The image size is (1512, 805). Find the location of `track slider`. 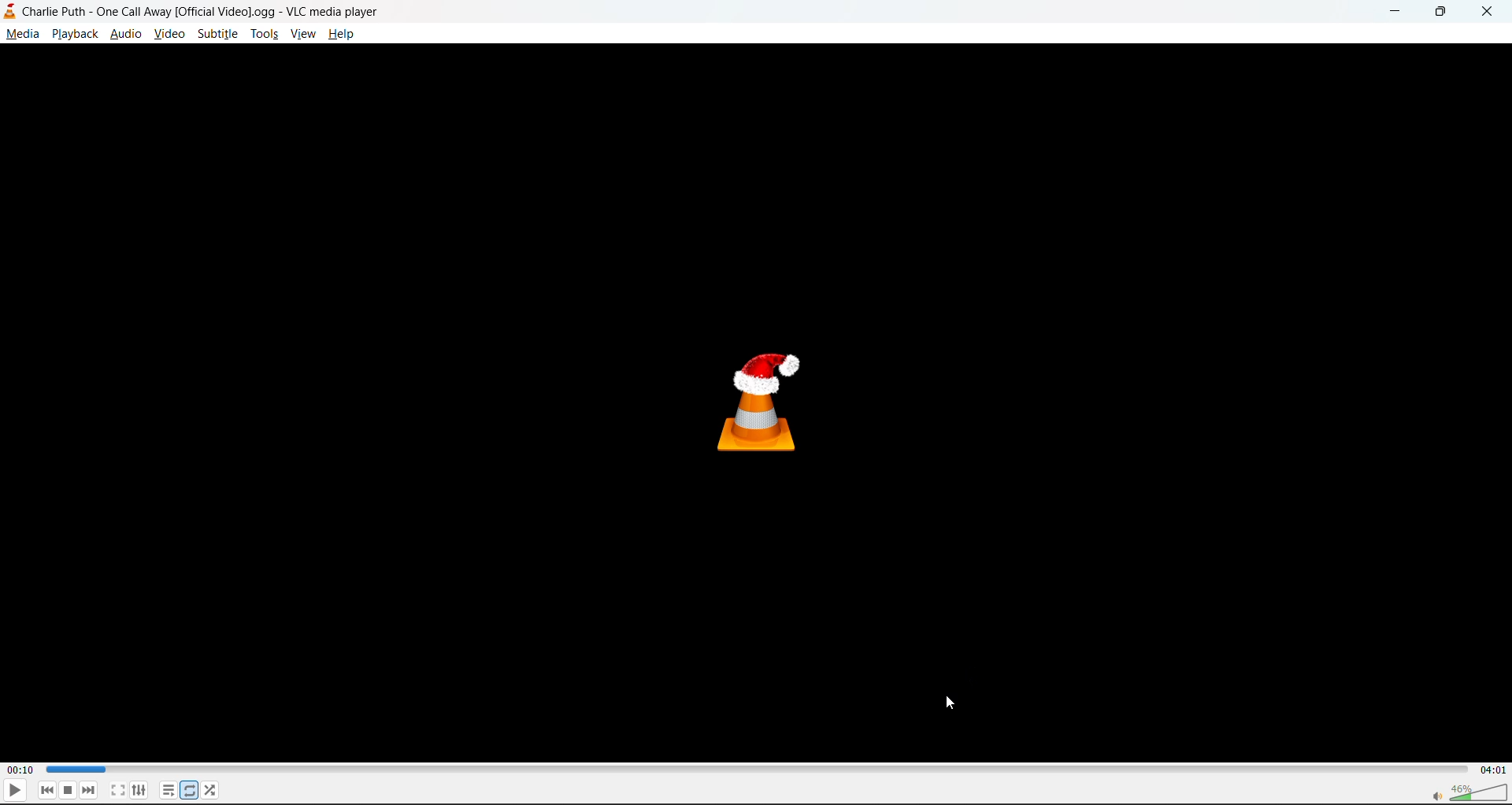

track slider is located at coordinates (750, 770).